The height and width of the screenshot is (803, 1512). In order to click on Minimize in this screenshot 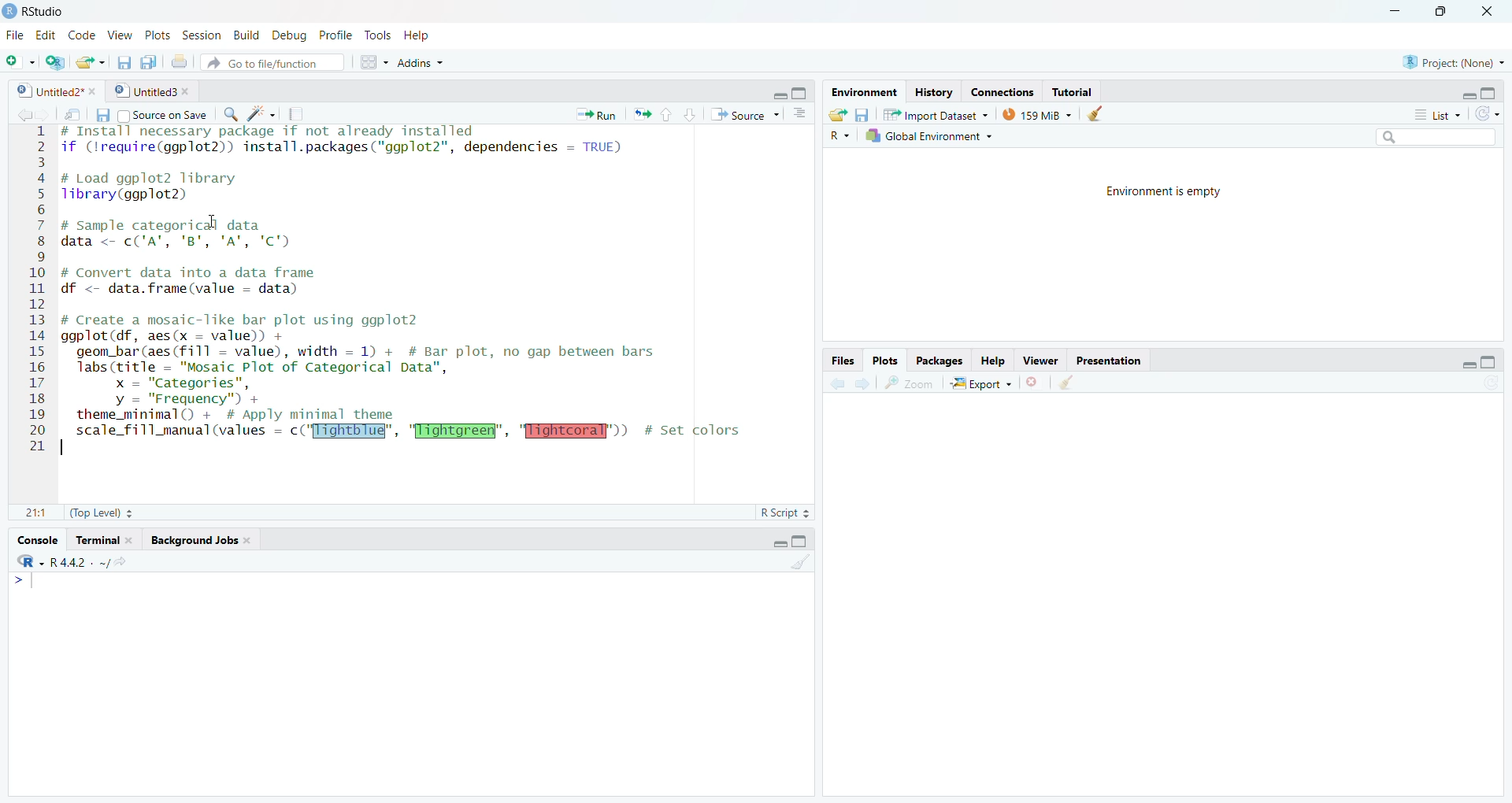, I will do `click(1464, 364)`.